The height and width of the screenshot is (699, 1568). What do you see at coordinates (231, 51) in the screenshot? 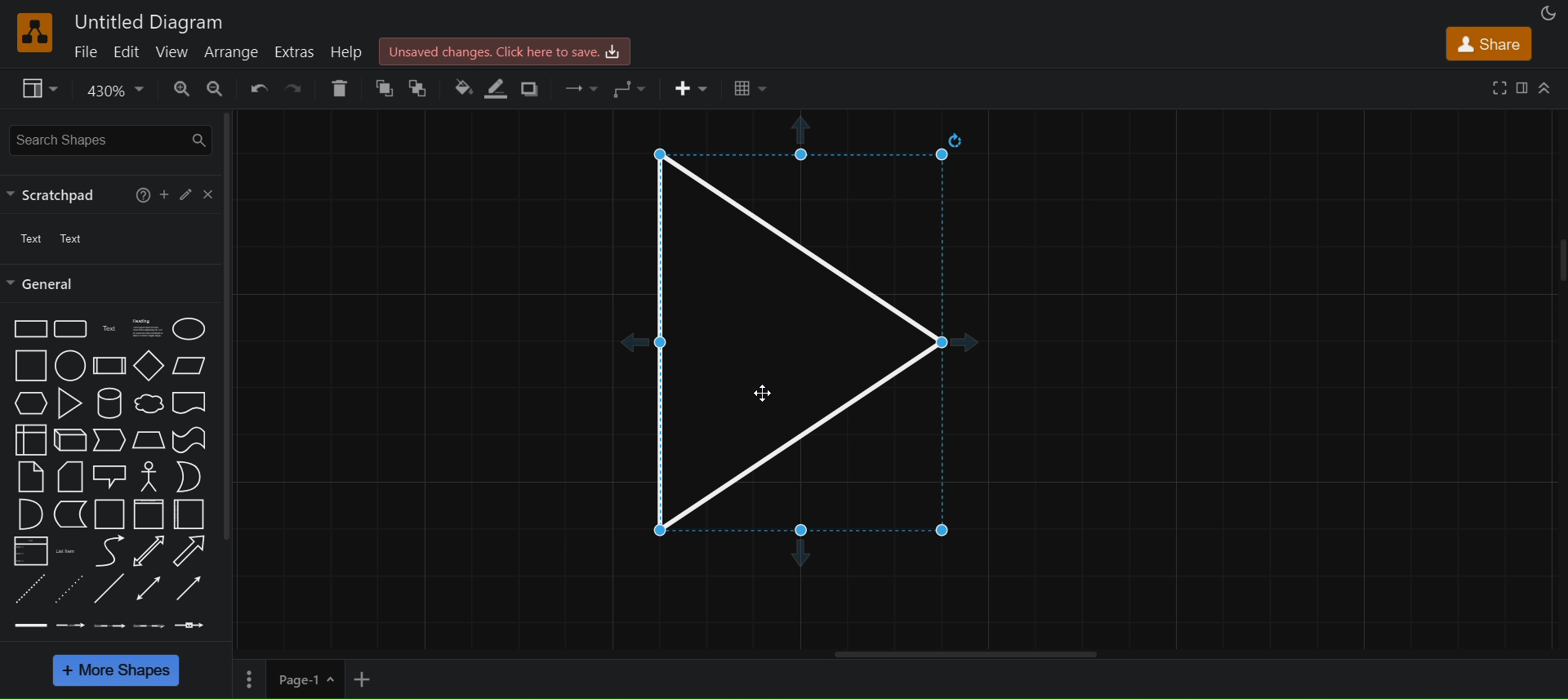
I see `arrange` at bounding box center [231, 51].